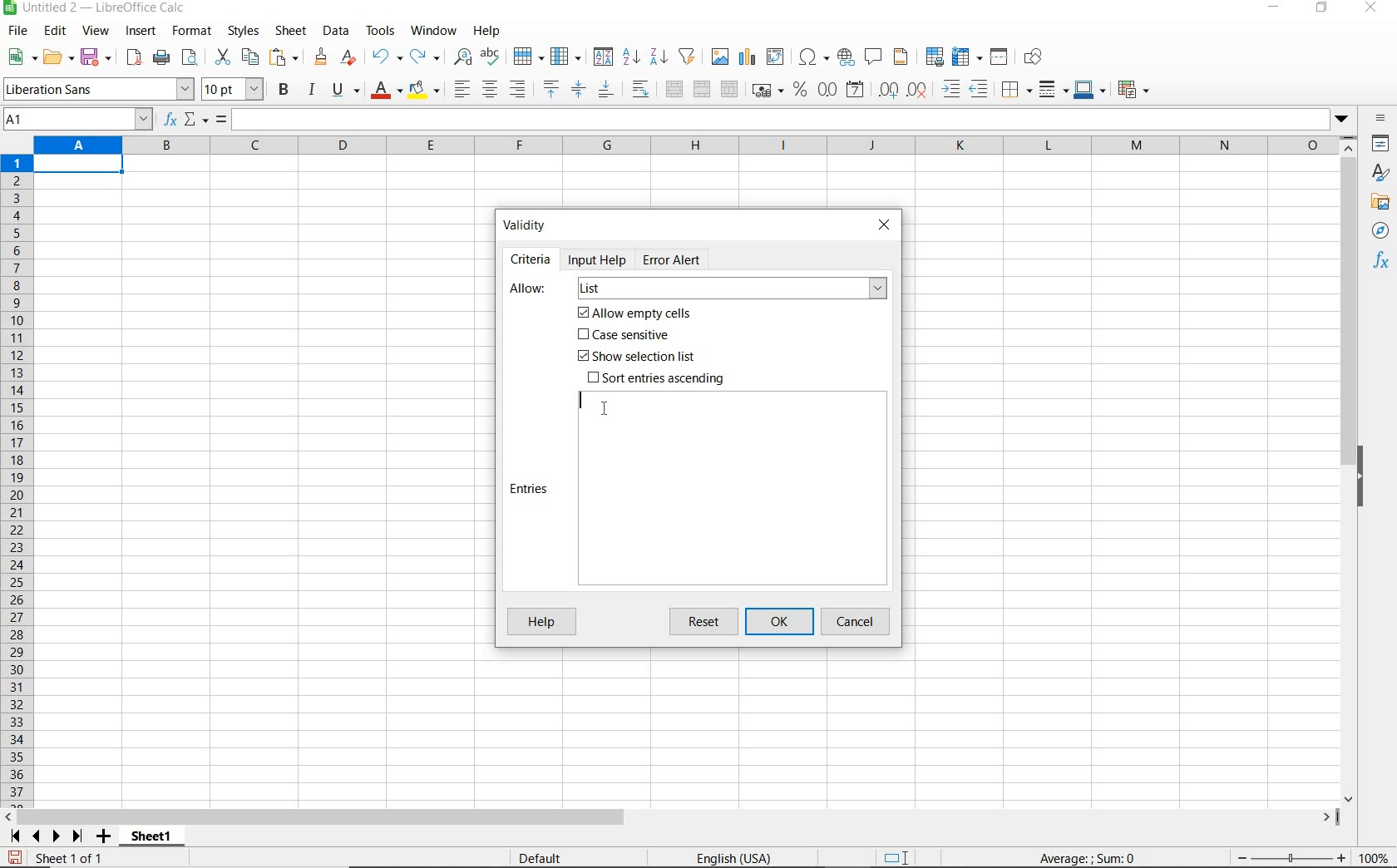  What do you see at coordinates (462, 57) in the screenshot?
I see `find and replace` at bounding box center [462, 57].